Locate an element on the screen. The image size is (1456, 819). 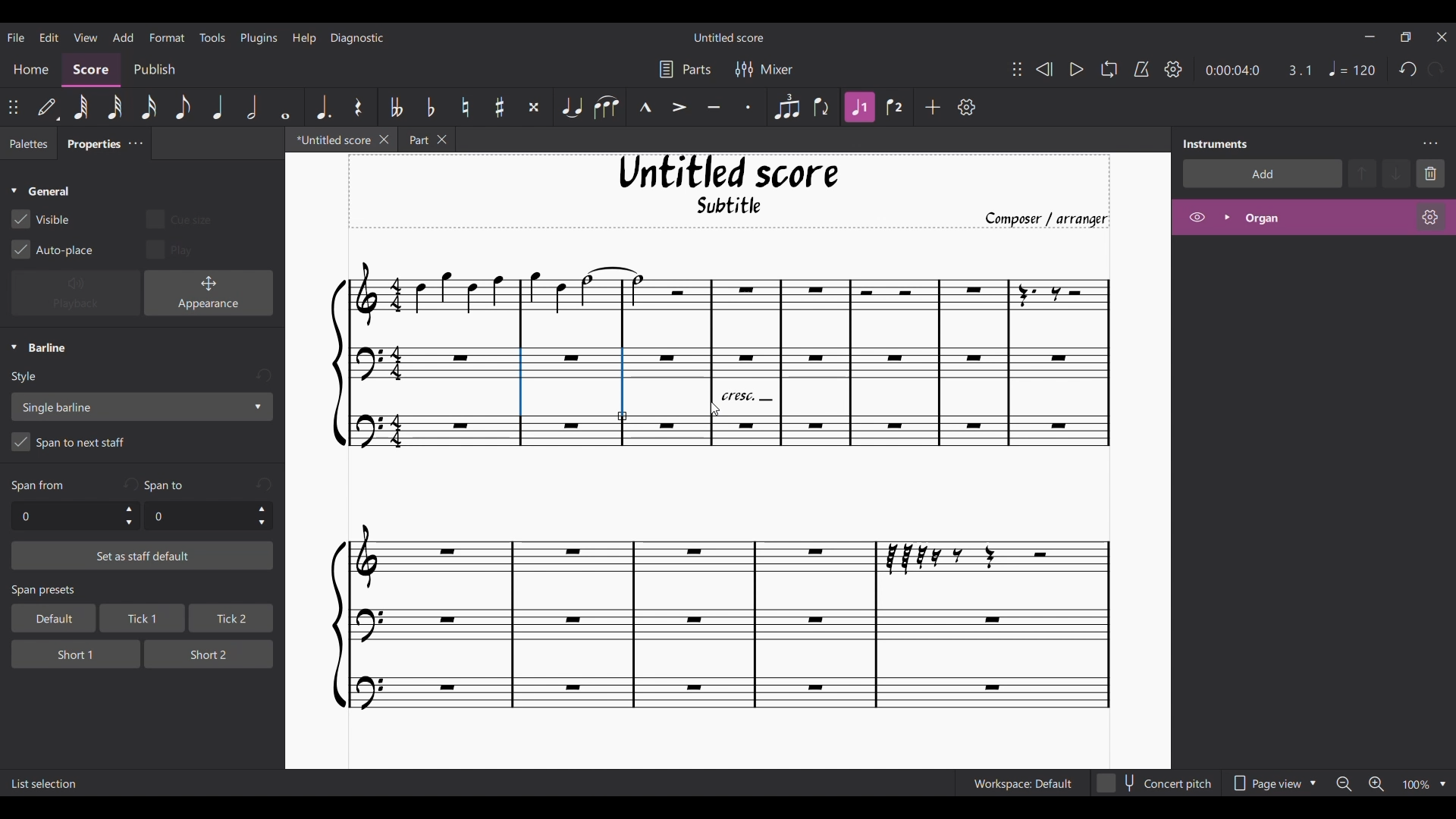
Tenuto is located at coordinates (714, 108).